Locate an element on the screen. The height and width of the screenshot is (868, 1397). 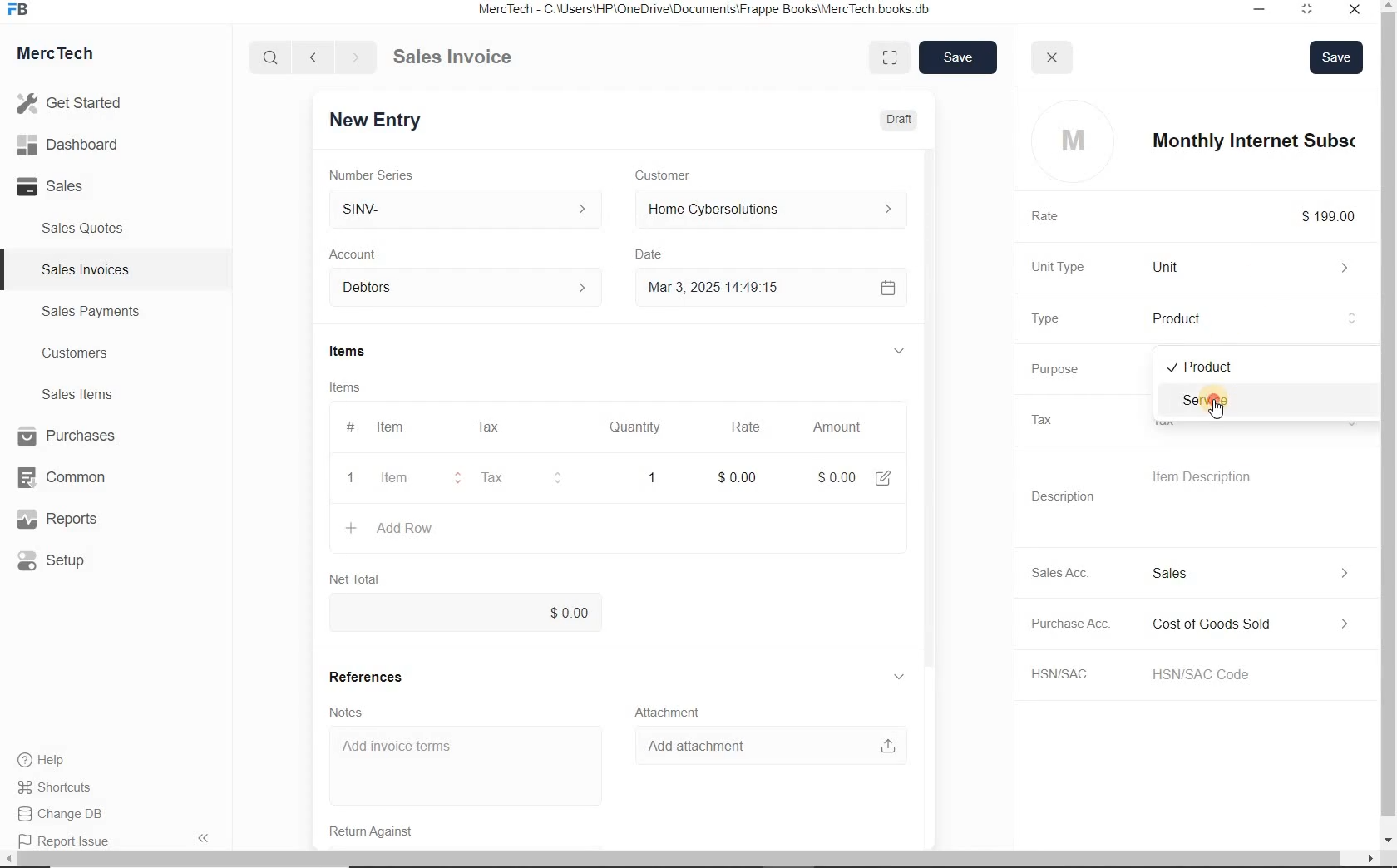
Expense is located at coordinates (1266, 624).